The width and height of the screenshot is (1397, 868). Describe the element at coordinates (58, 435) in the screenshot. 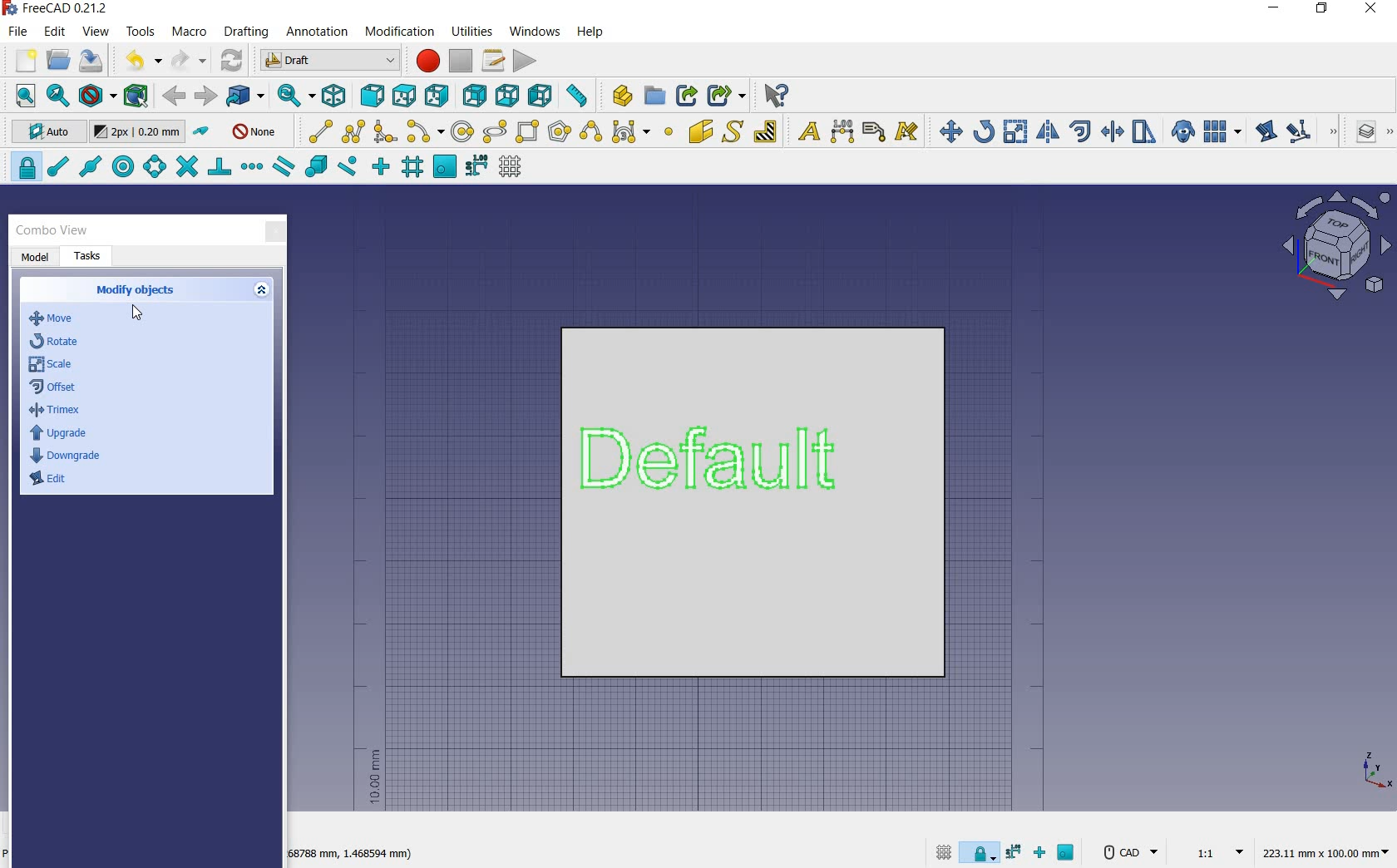

I see `upgrade` at that location.